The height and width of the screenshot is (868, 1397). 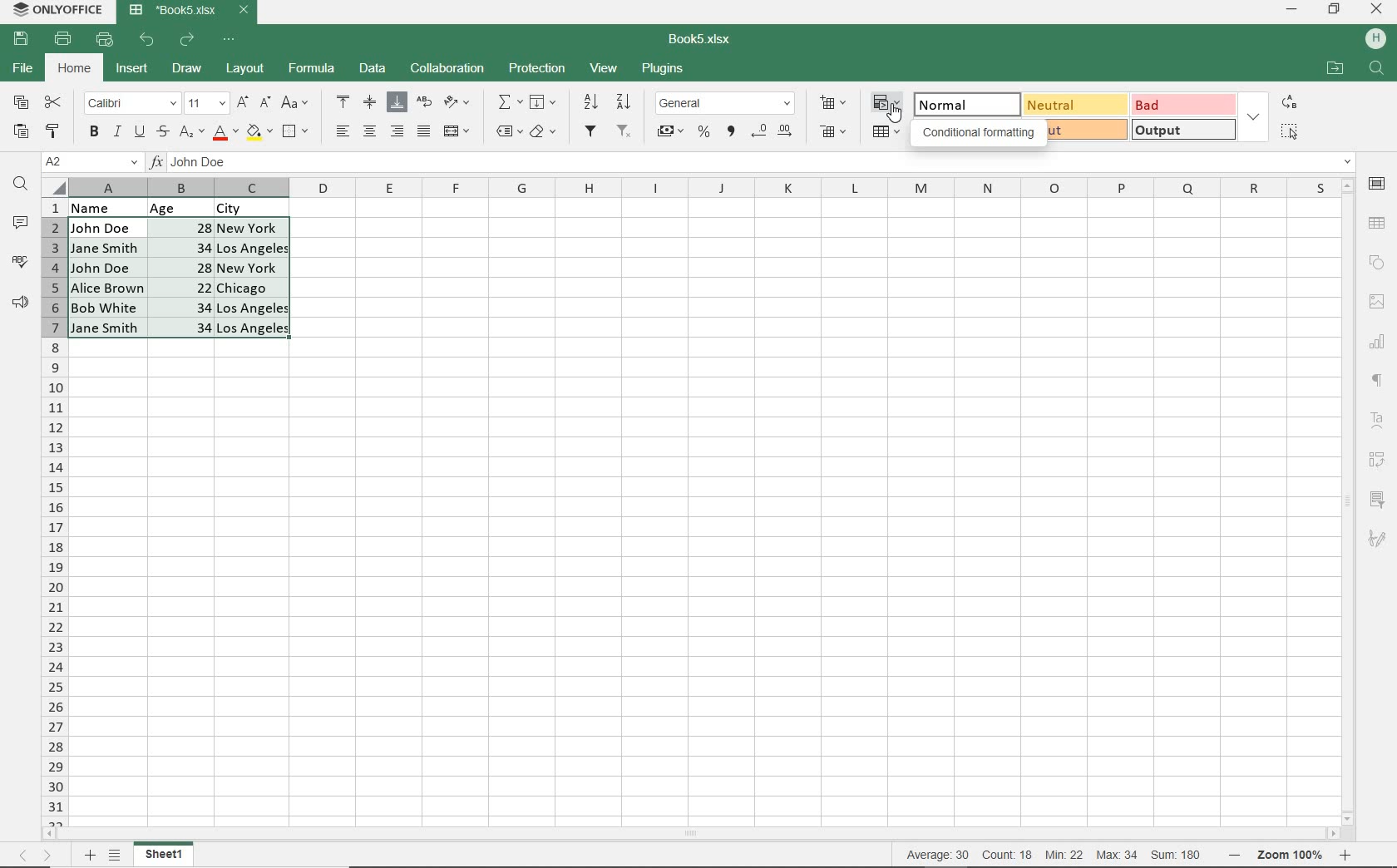 I want to click on DOCUMENT NAME, so click(x=190, y=11).